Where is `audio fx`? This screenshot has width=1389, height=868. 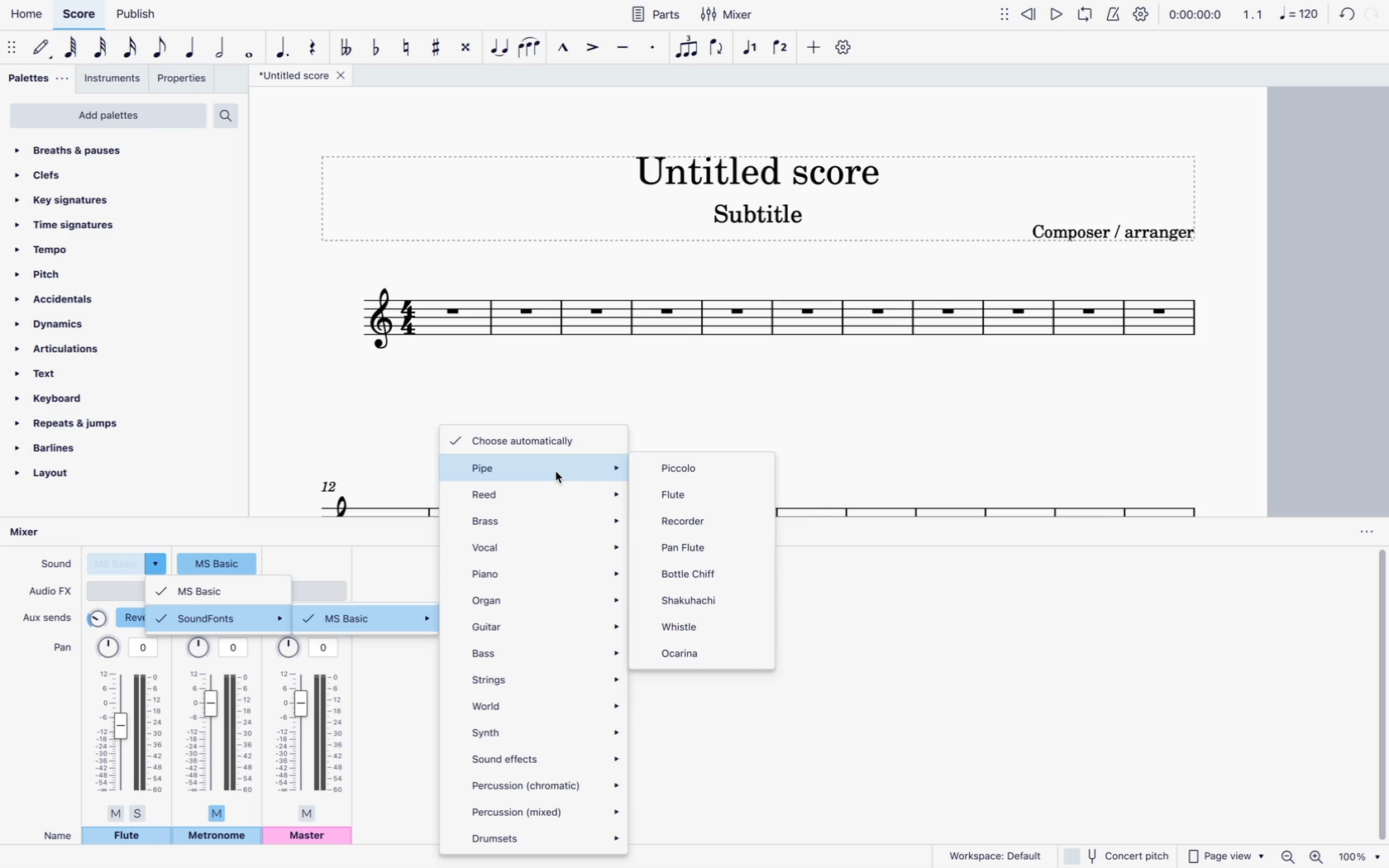
audio fx is located at coordinates (50, 591).